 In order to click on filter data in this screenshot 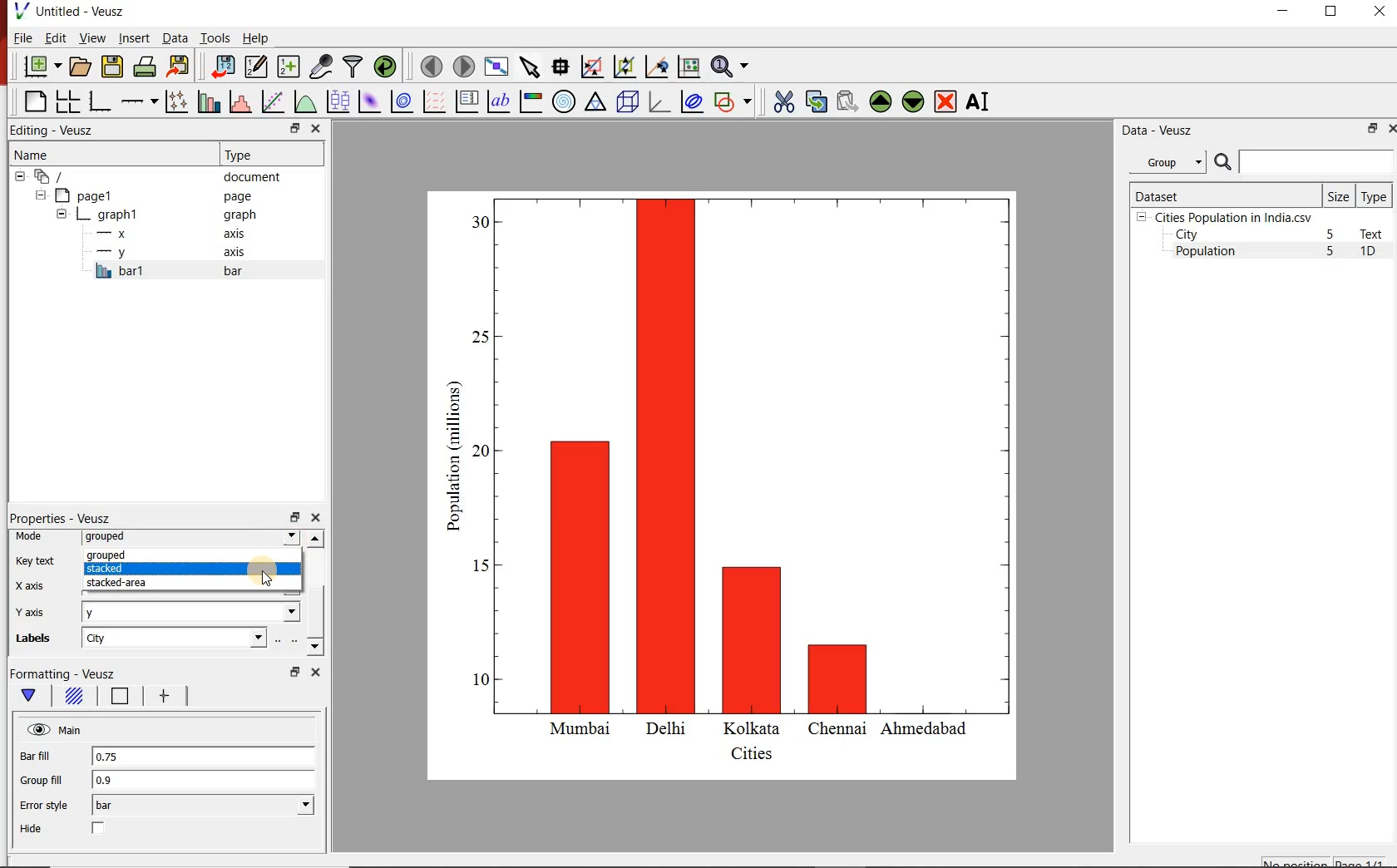, I will do `click(353, 67)`.